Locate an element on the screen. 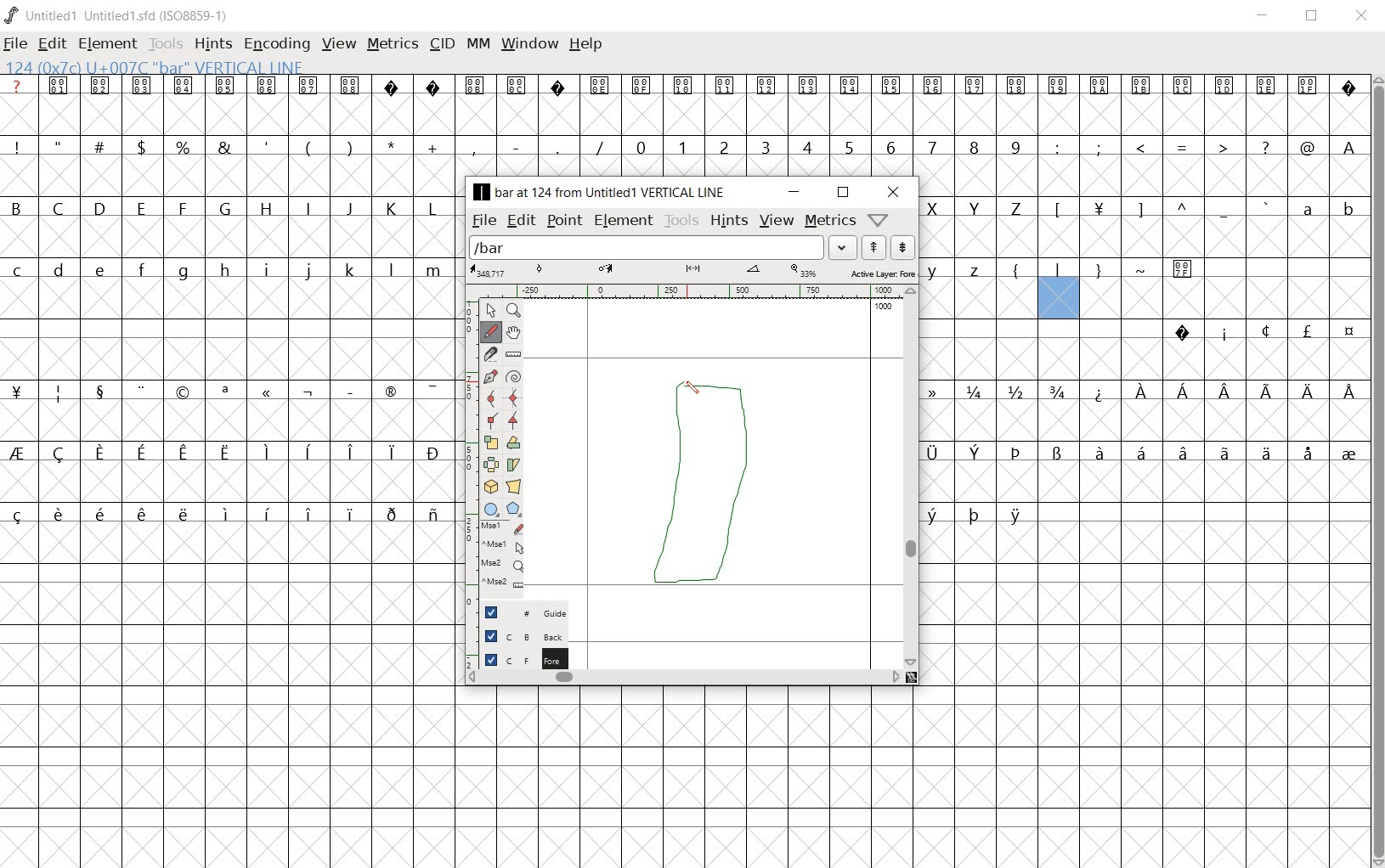 This screenshot has width=1385, height=868. file is located at coordinates (483, 222).